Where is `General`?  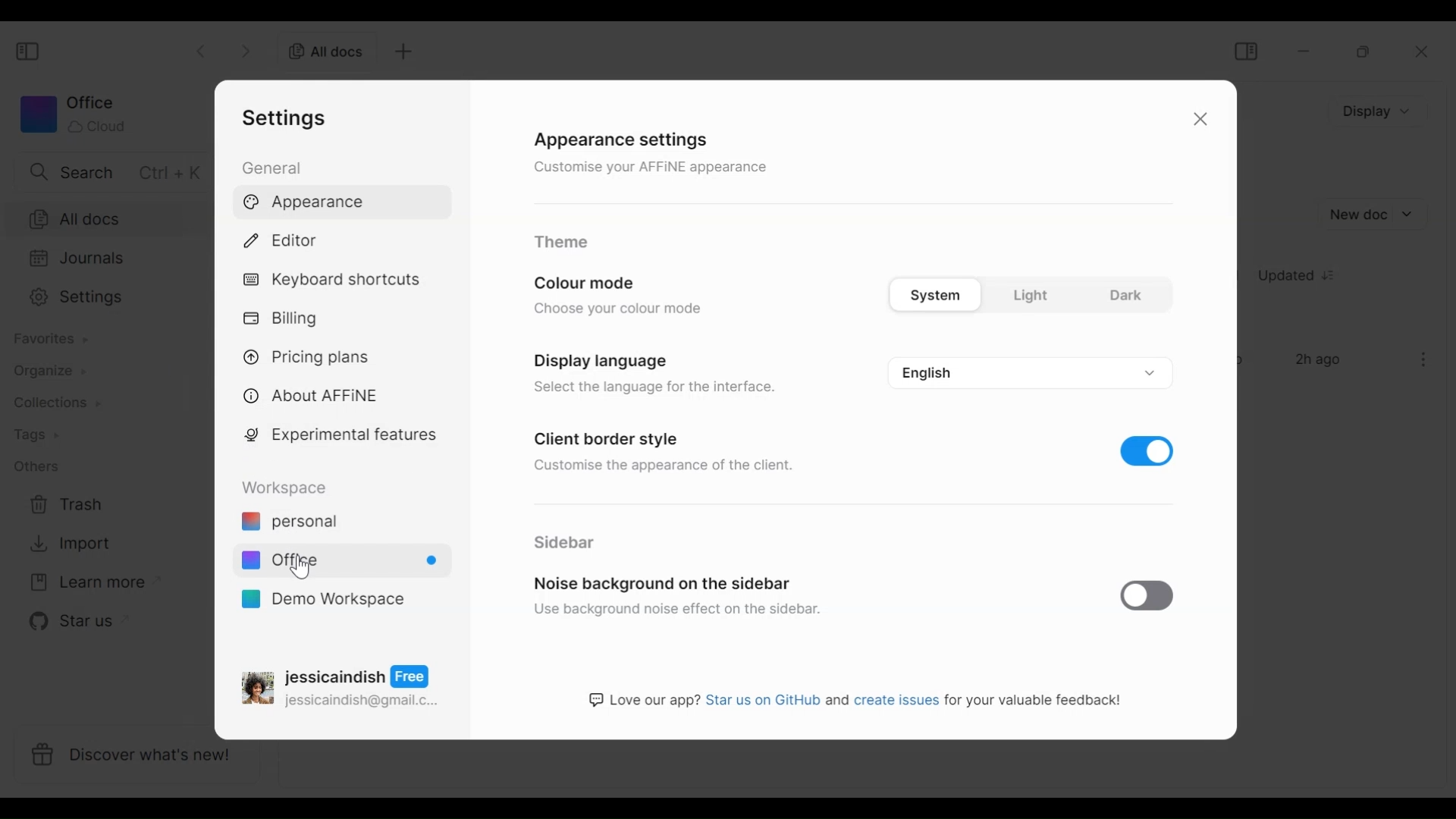 General is located at coordinates (275, 167).